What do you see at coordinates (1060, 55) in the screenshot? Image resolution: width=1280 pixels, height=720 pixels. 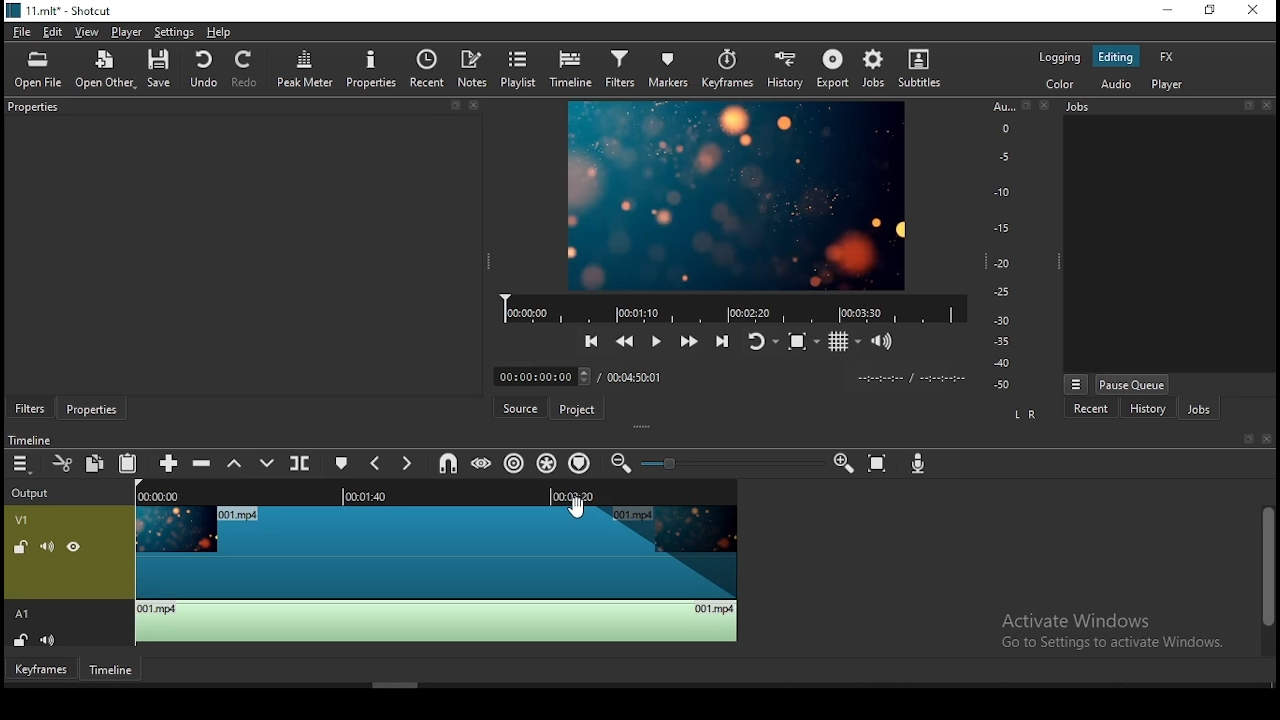 I see `logging` at bounding box center [1060, 55].